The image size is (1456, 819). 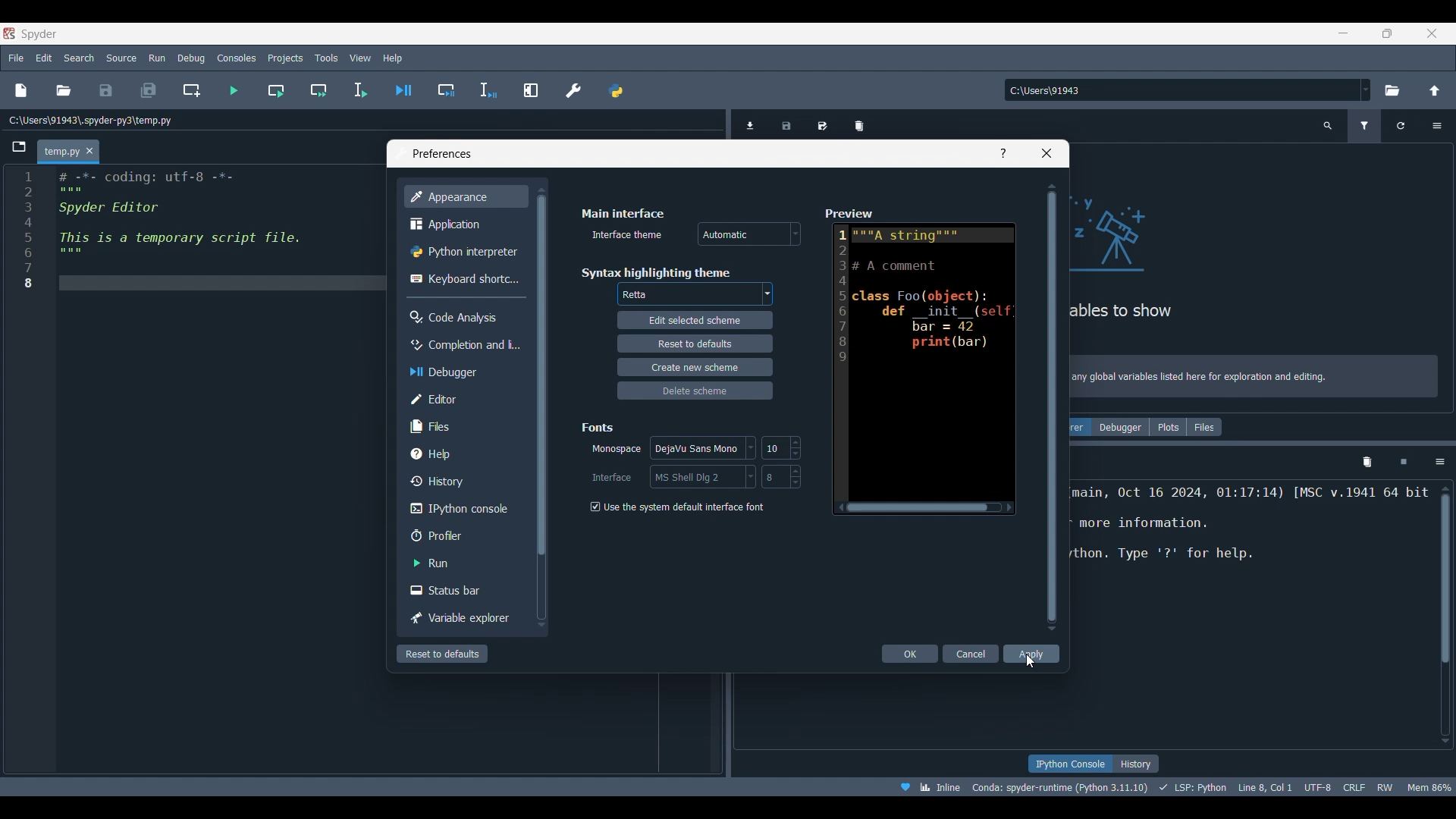 What do you see at coordinates (701, 476) in the screenshot?
I see `interface font options` at bounding box center [701, 476].